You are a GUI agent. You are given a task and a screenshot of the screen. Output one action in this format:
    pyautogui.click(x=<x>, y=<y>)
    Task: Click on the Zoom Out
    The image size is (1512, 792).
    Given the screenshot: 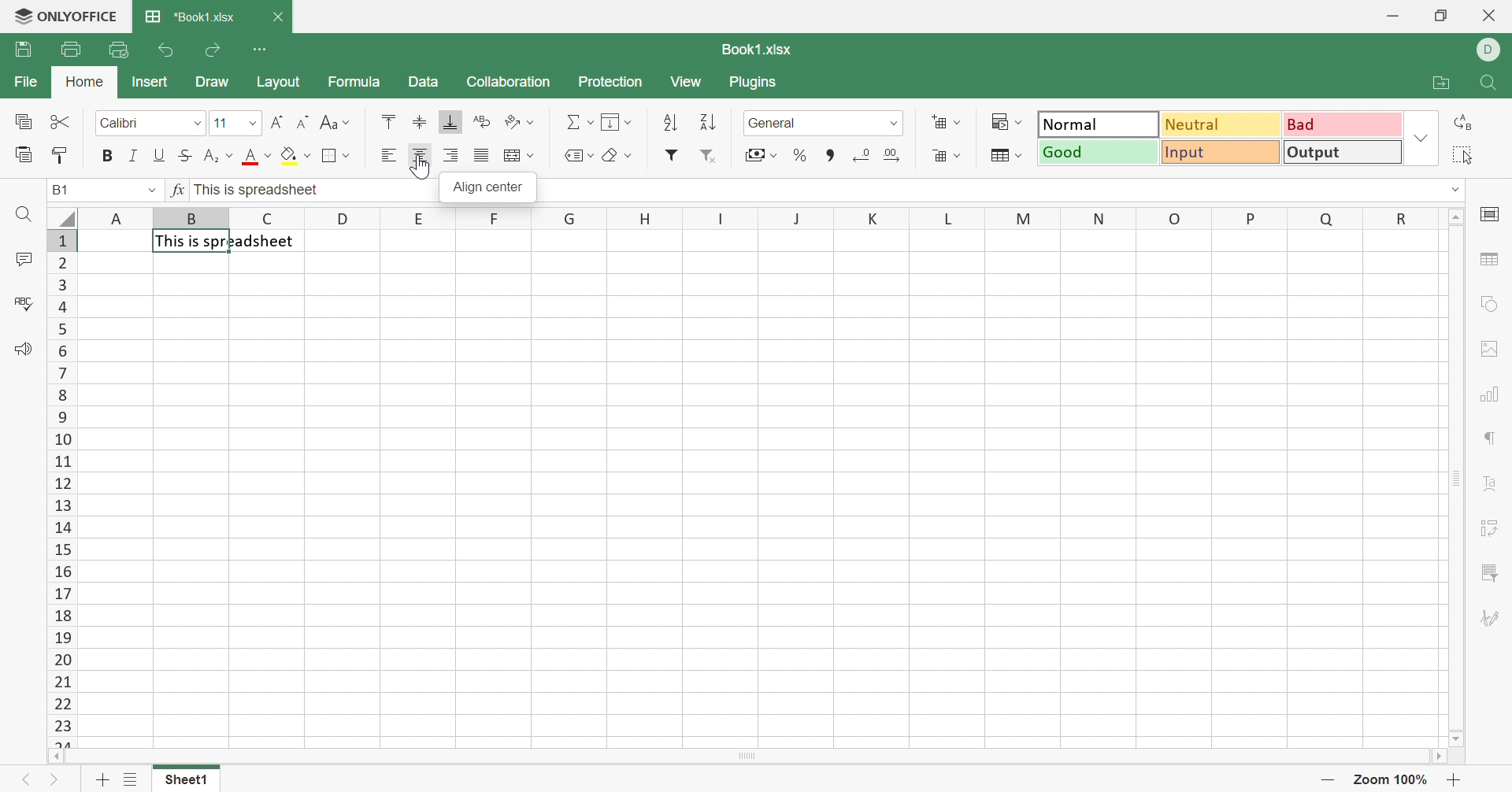 What is the action you would take?
    pyautogui.click(x=1329, y=778)
    